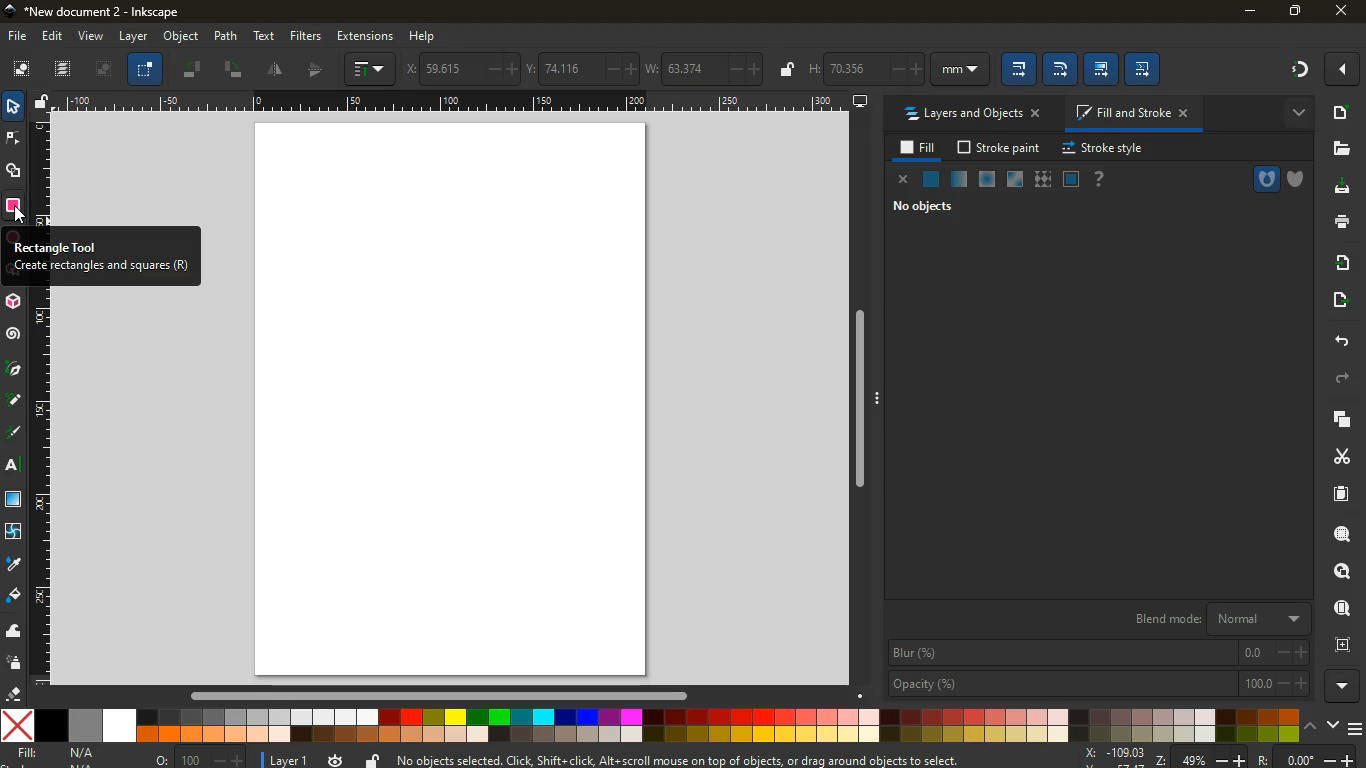 The width and height of the screenshot is (1366, 768). I want to click on desktop, so click(1335, 189).